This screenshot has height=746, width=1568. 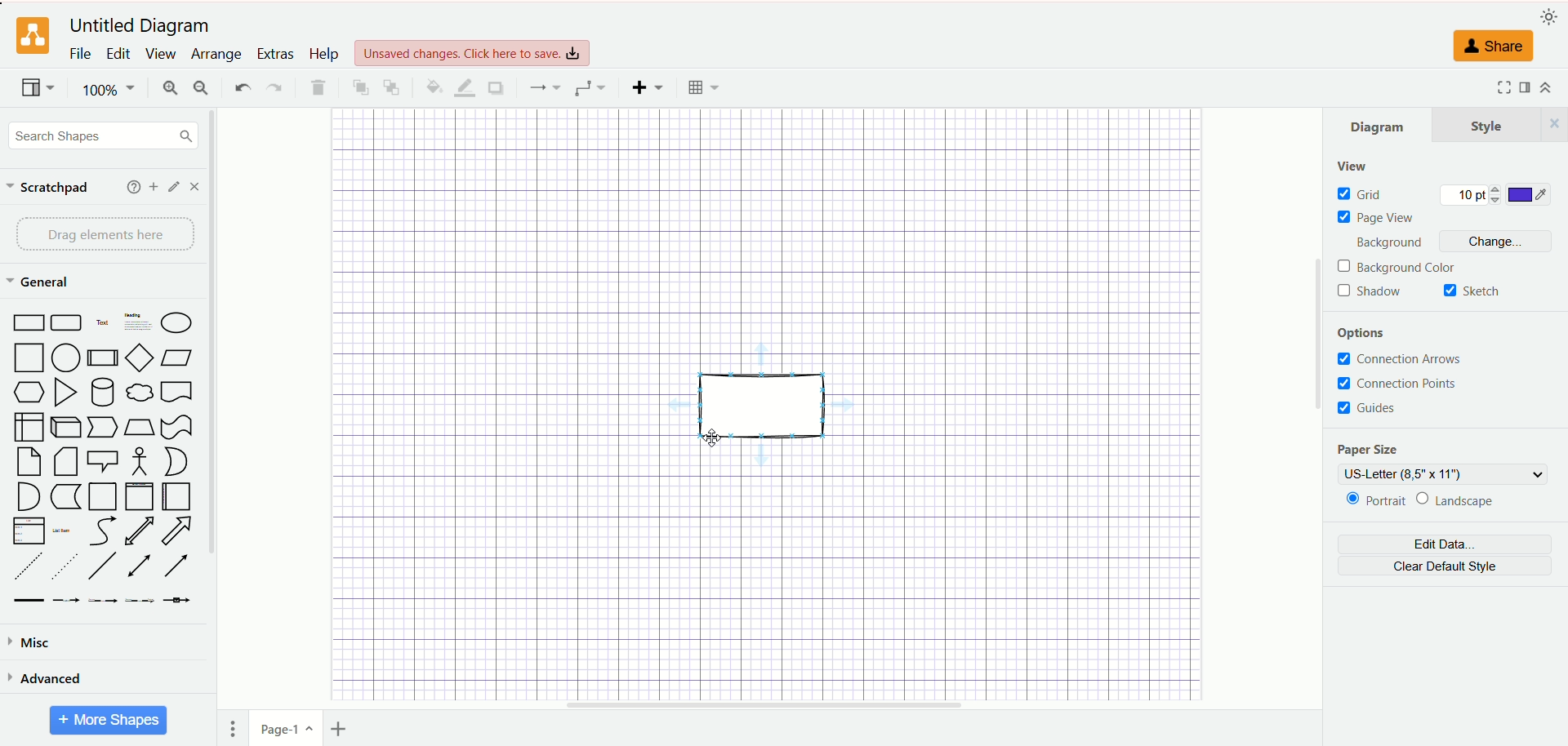 I want to click on grid, so click(x=1363, y=194).